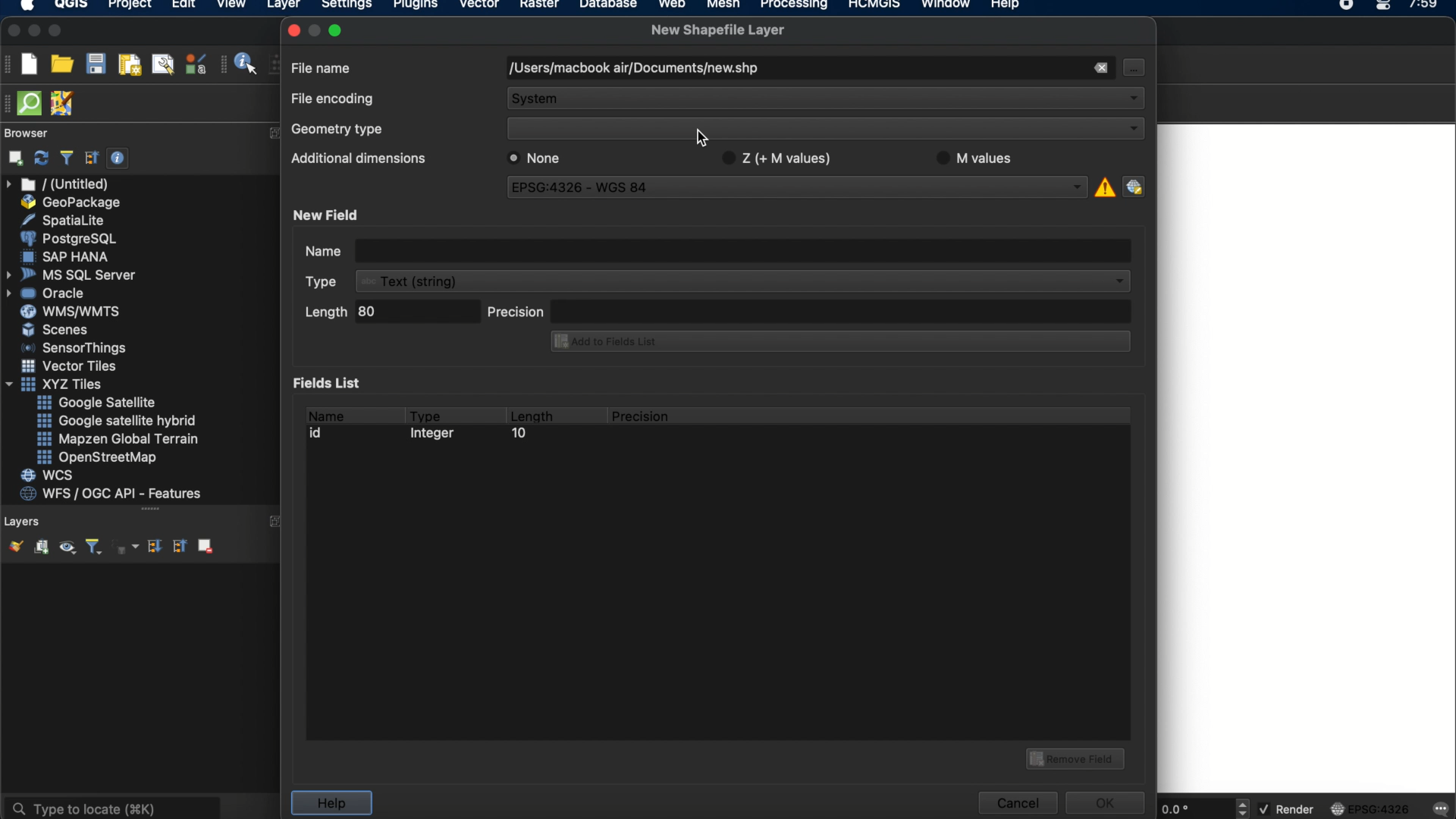  What do you see at coordinates (151, 511) in the screenshot?
I see `more` at bounding box center [151, 511].